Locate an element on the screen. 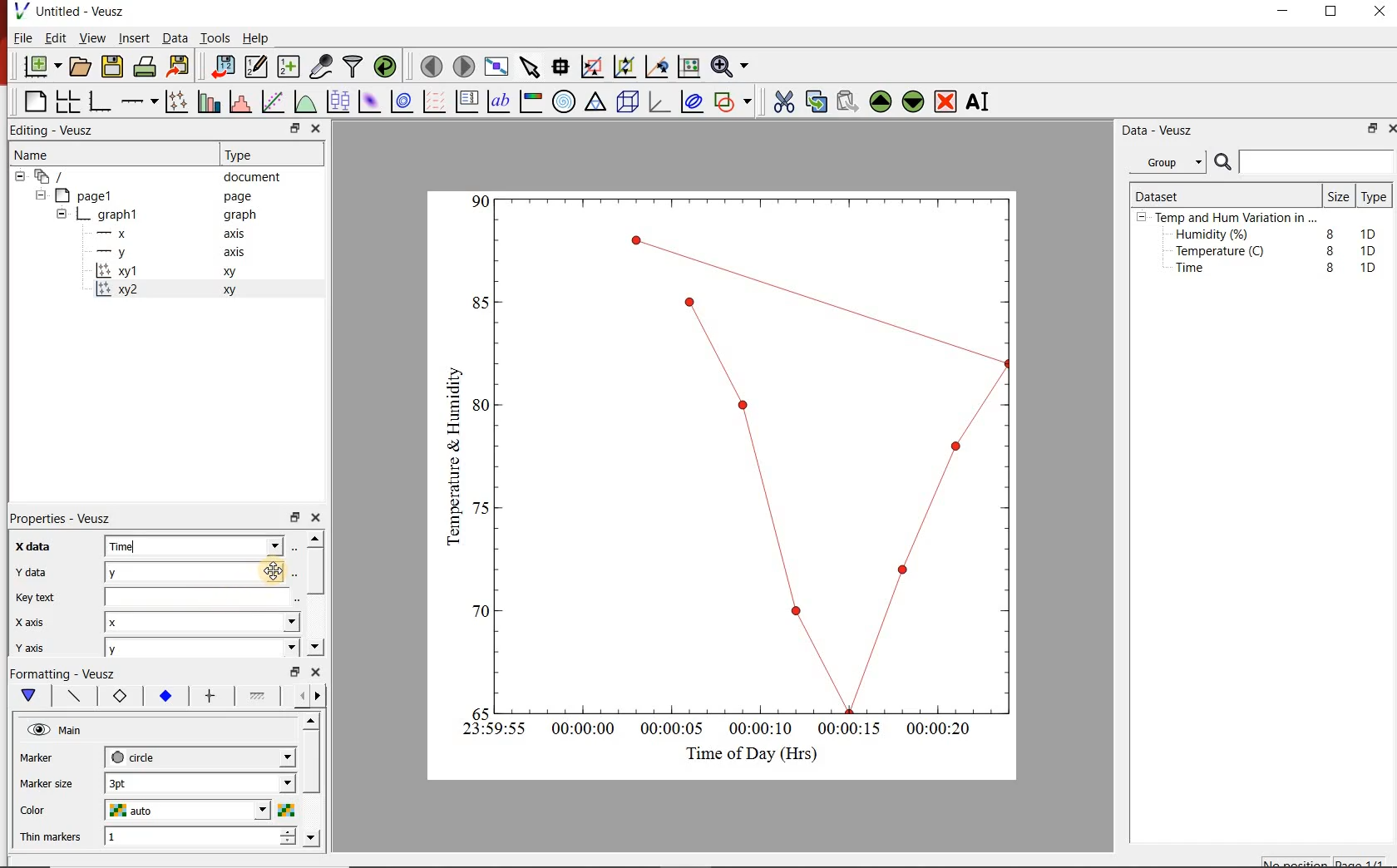 The height and width of the screenshot is (868, 1397). xy1 is located at coordinates (126, 271).